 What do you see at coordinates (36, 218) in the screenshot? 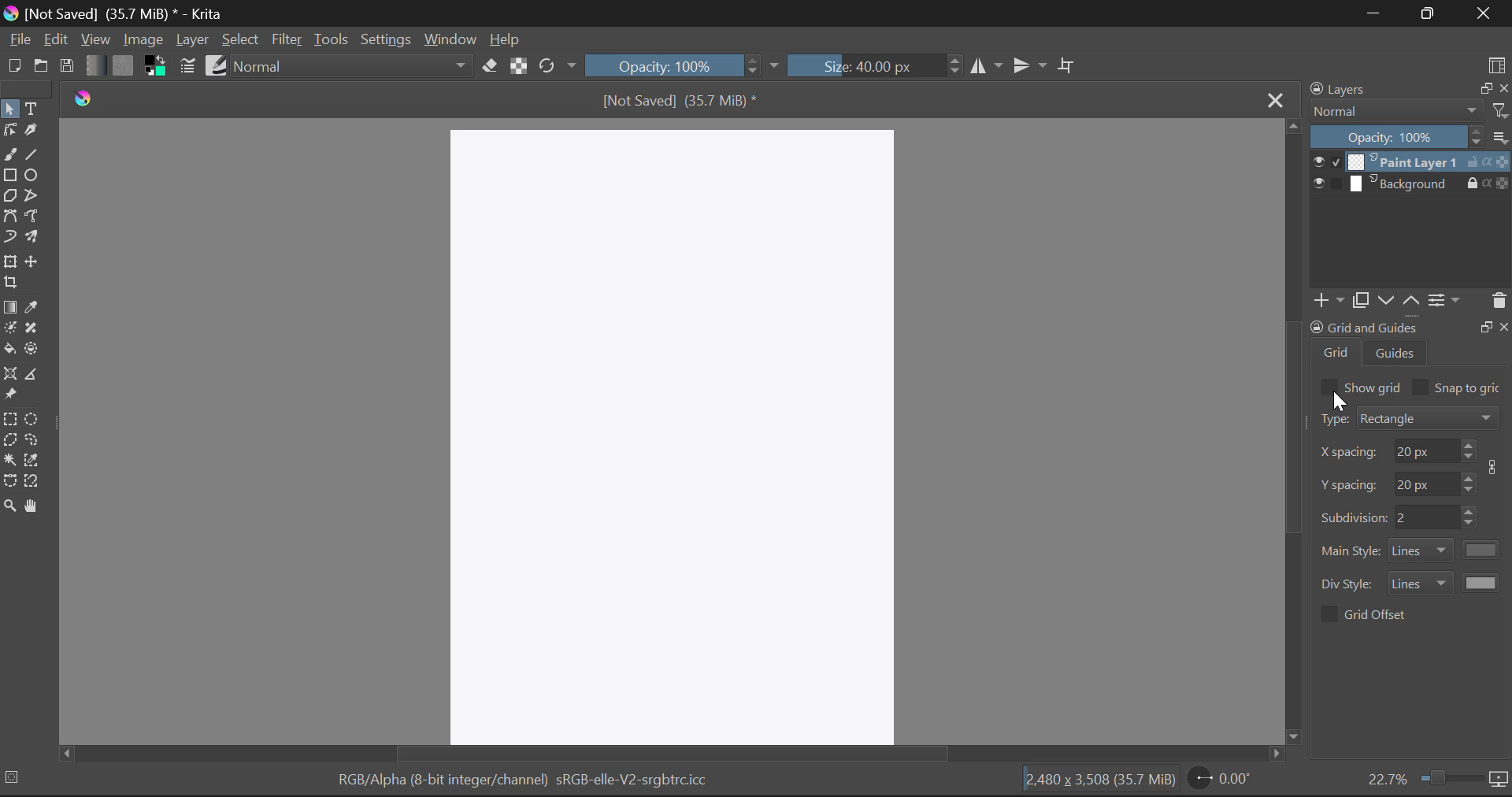
I see `Freehand Path Tool` at bounding box center [36, 218].